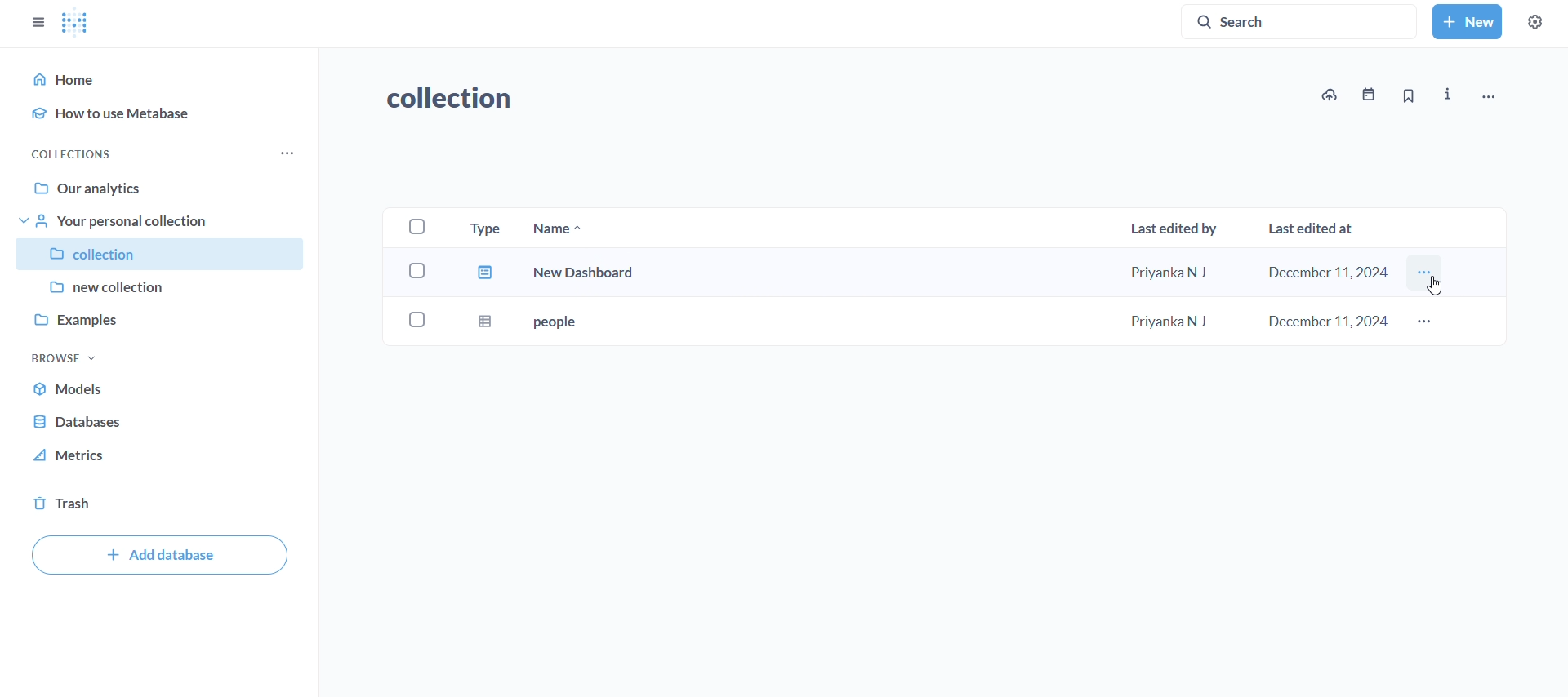 Image resolution: width=1568 pixels, height=697 pixels. What do you see at coordinates (1427, 278) in the screenshot?
I see `more ` at bounding box center [1427, 278].